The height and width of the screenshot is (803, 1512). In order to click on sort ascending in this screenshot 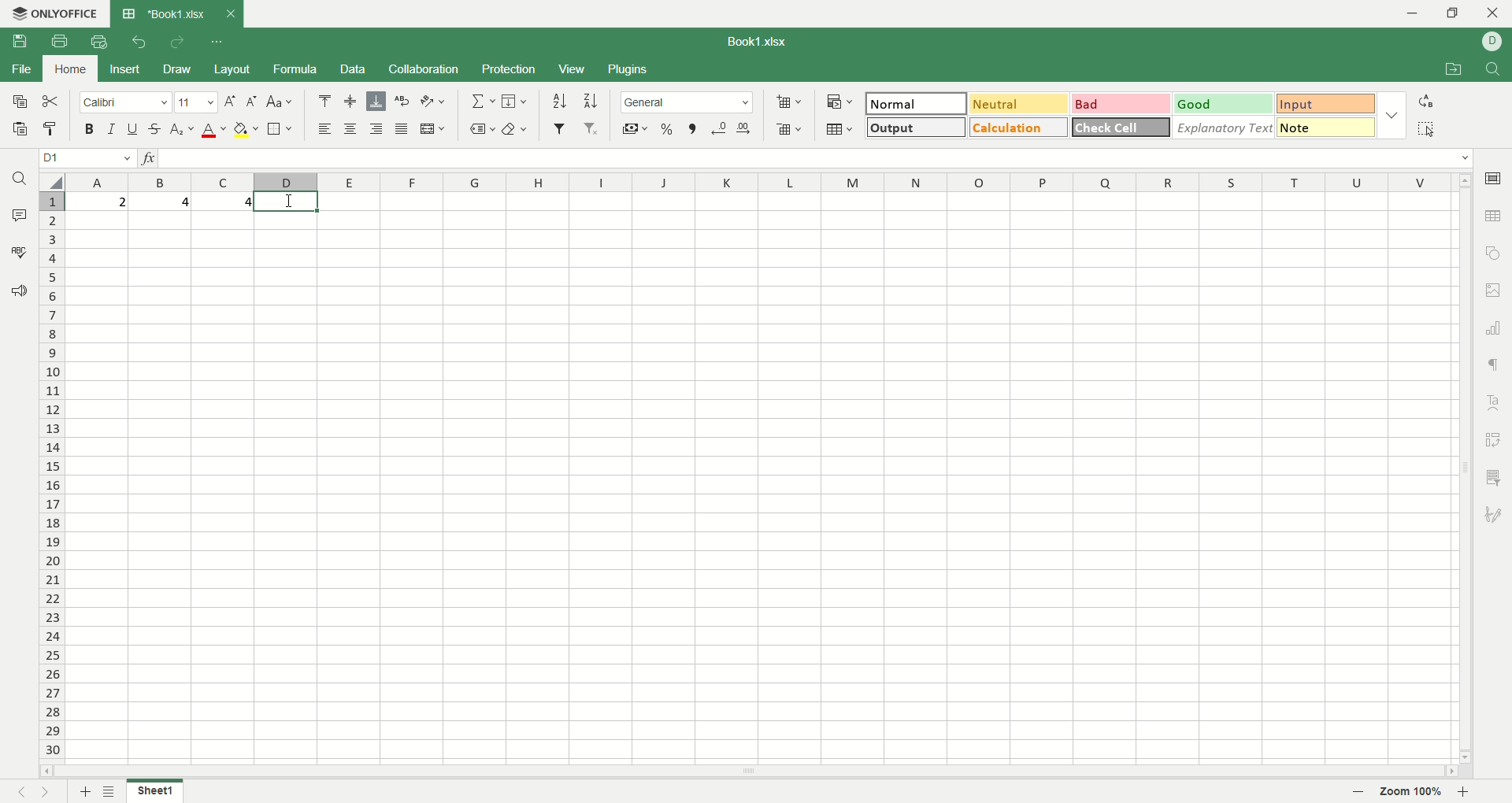, I will do `click(558, 101)`.